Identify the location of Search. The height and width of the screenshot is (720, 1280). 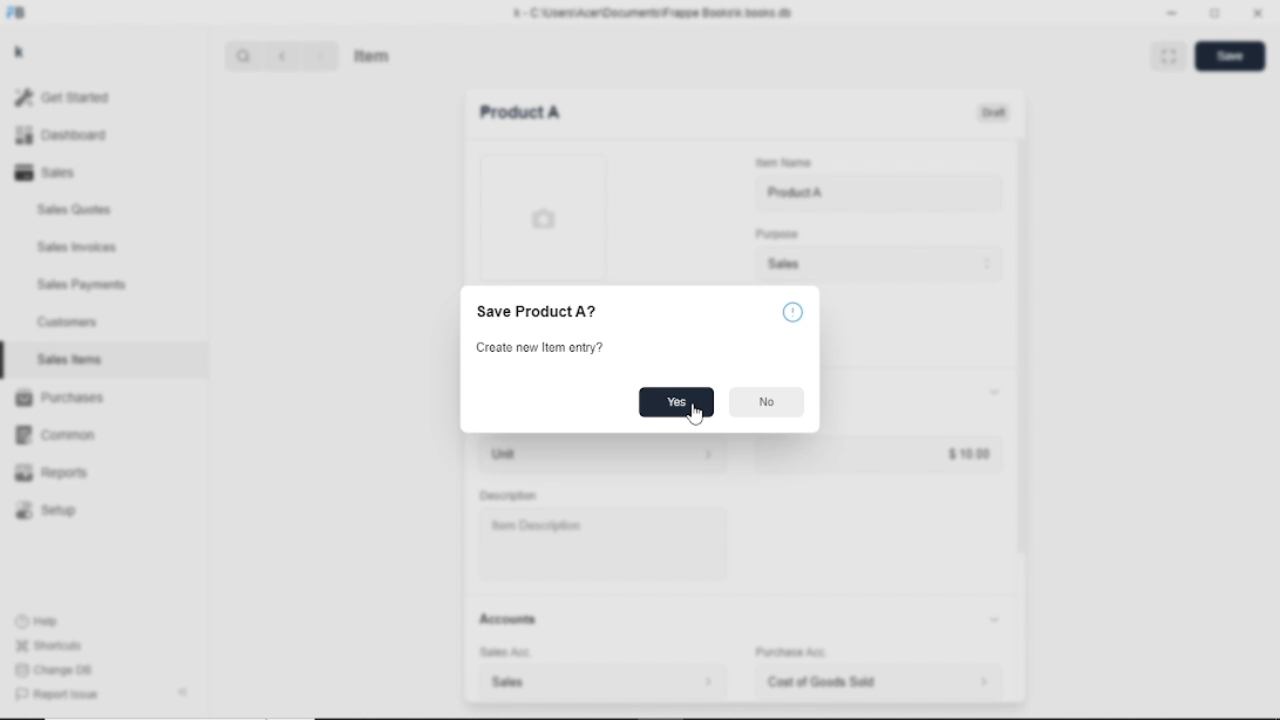
(244, 56).